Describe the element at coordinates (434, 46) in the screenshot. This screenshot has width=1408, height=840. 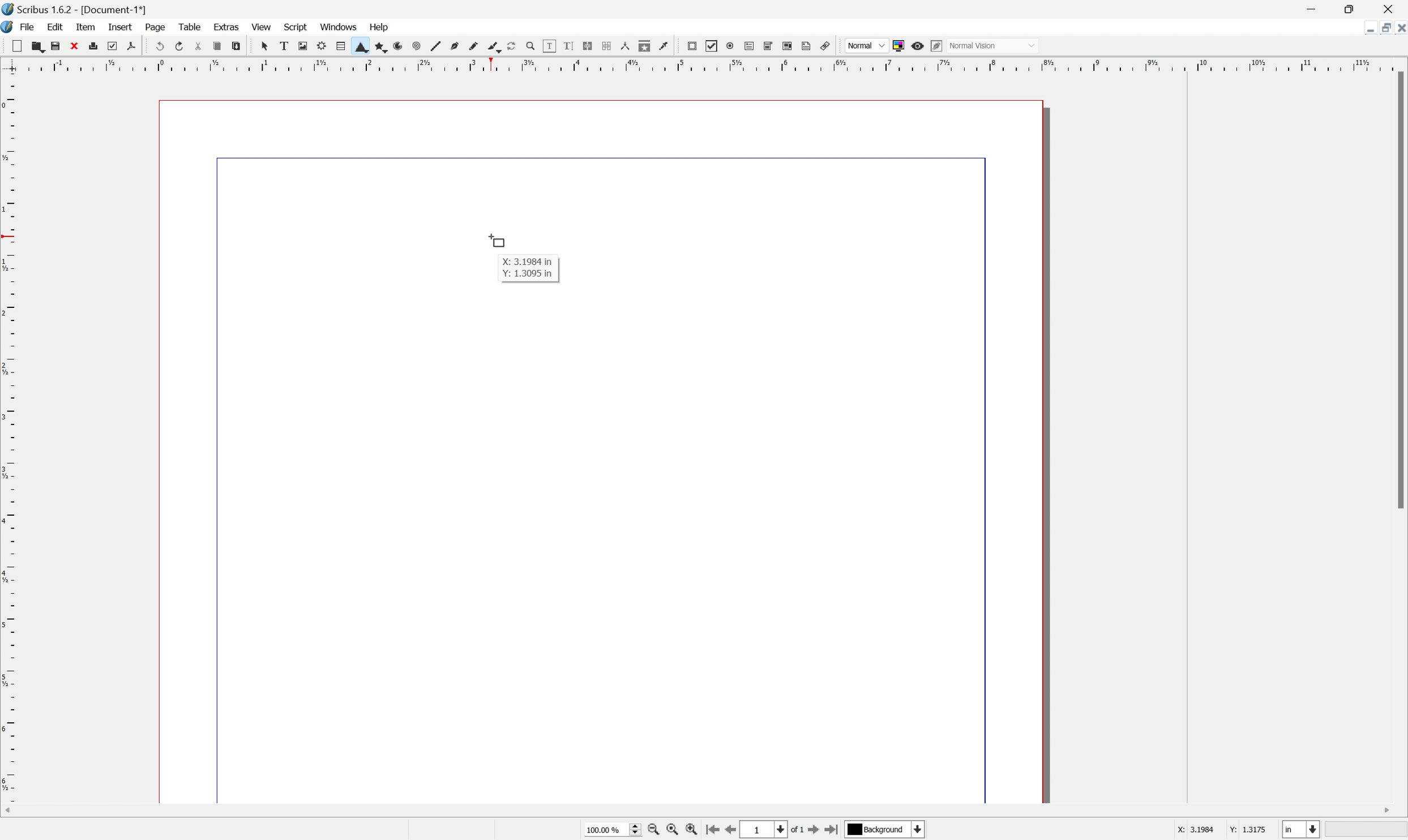
I see `Line` at that location.